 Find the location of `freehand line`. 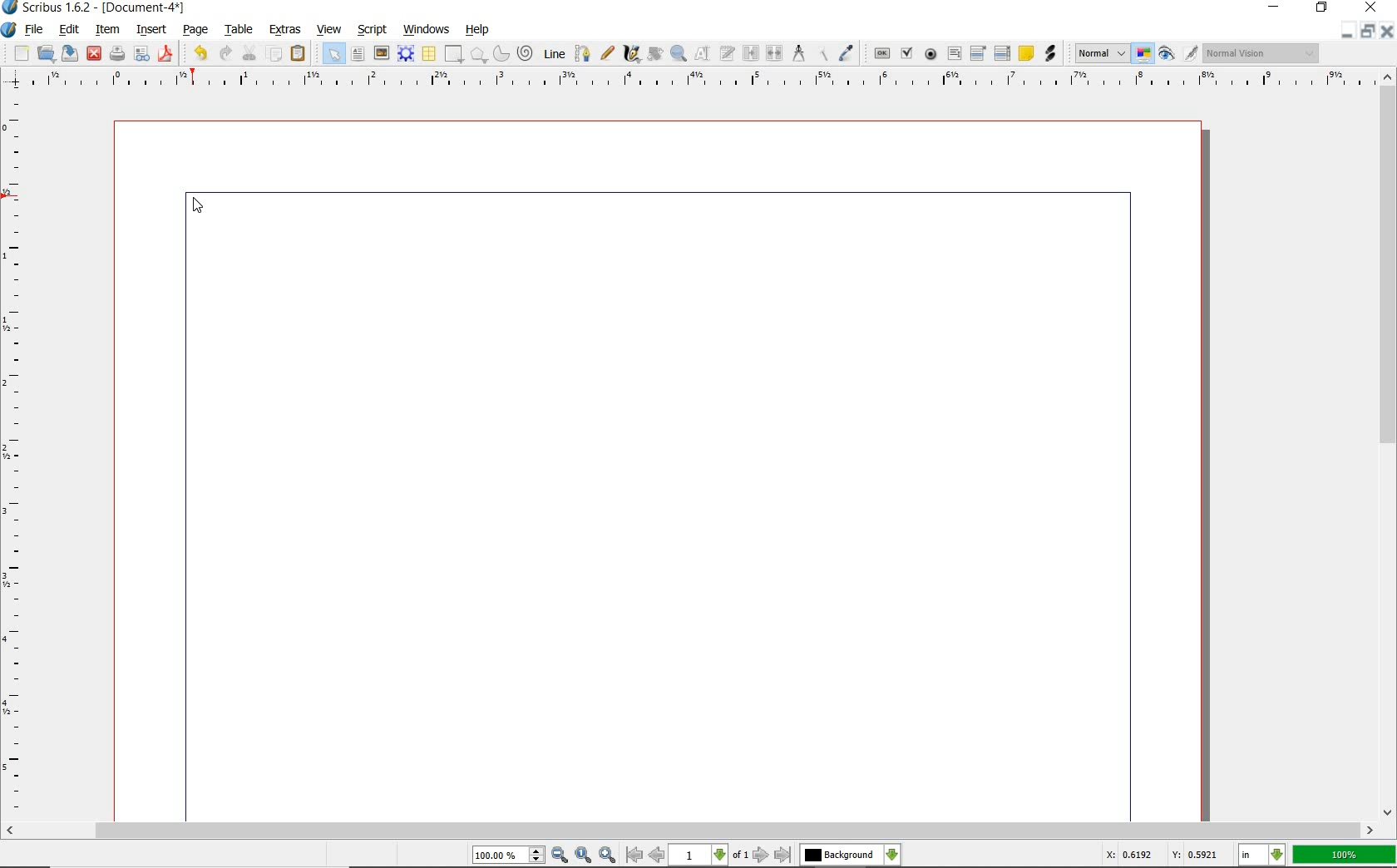

freehand line is located at coordinates (609, 54).